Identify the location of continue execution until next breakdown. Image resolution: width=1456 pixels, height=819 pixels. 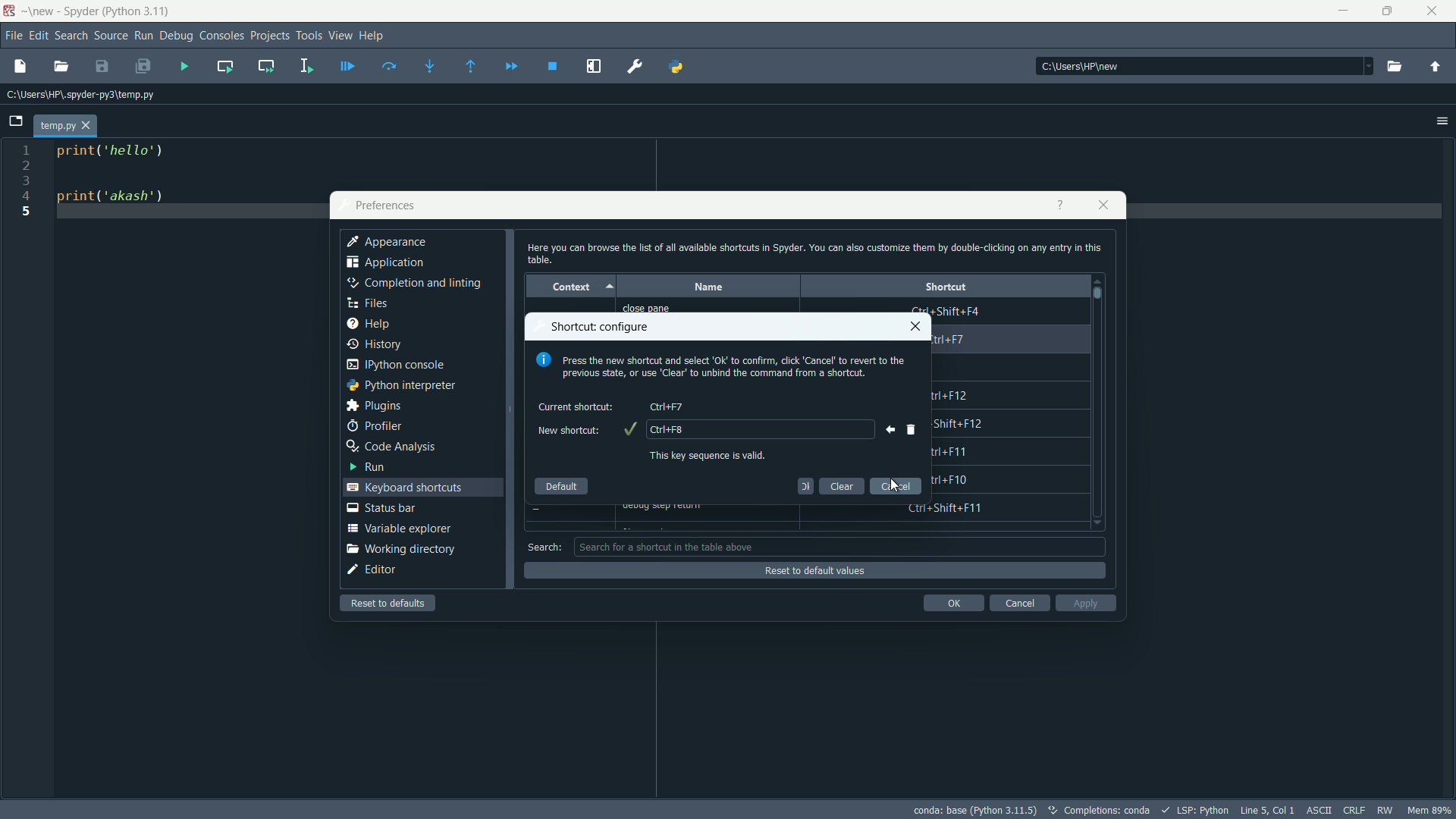
(512, 67).